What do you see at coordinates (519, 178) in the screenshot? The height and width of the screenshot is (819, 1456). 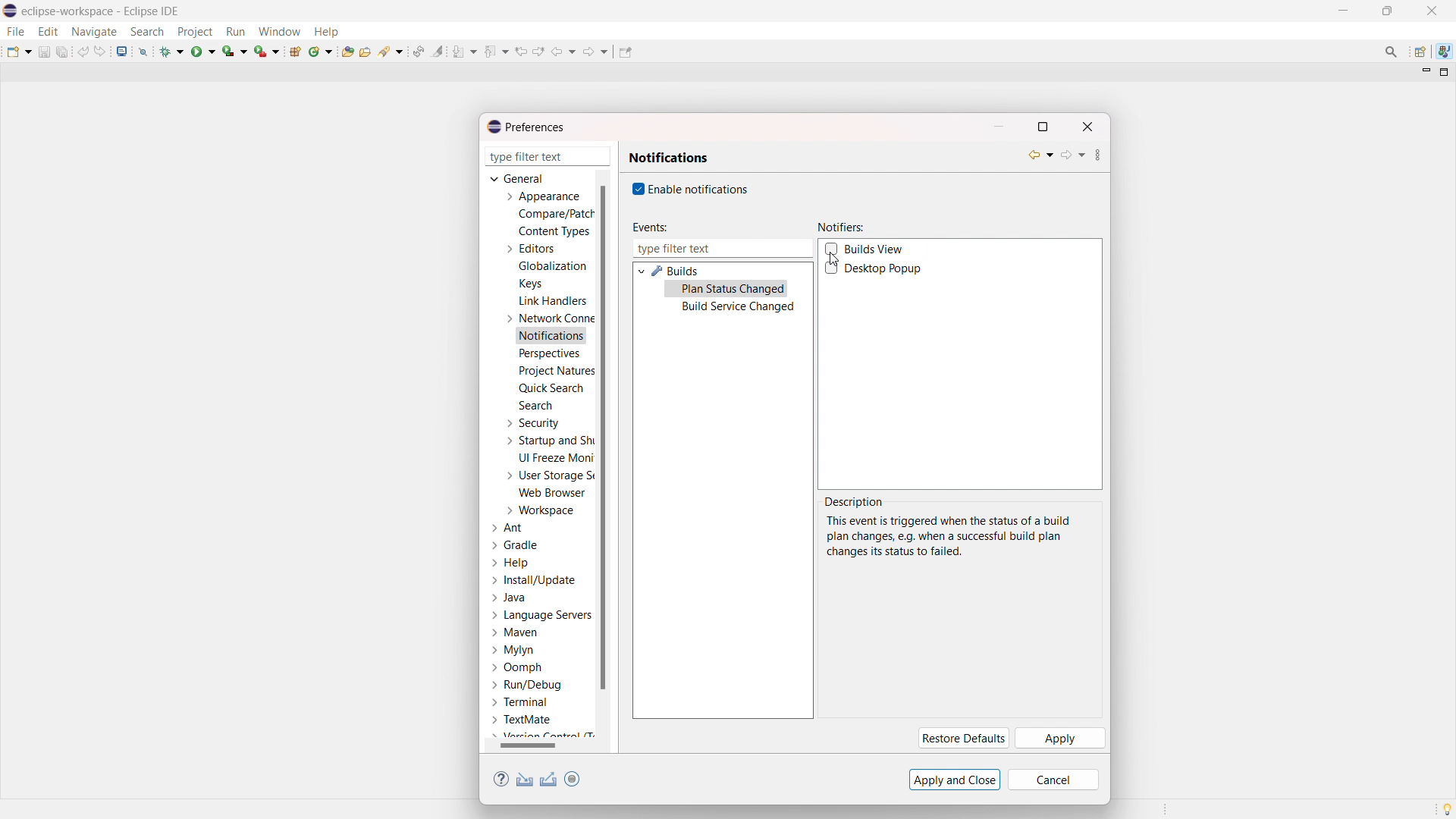 I see `general` at bounding box center [519, 178].